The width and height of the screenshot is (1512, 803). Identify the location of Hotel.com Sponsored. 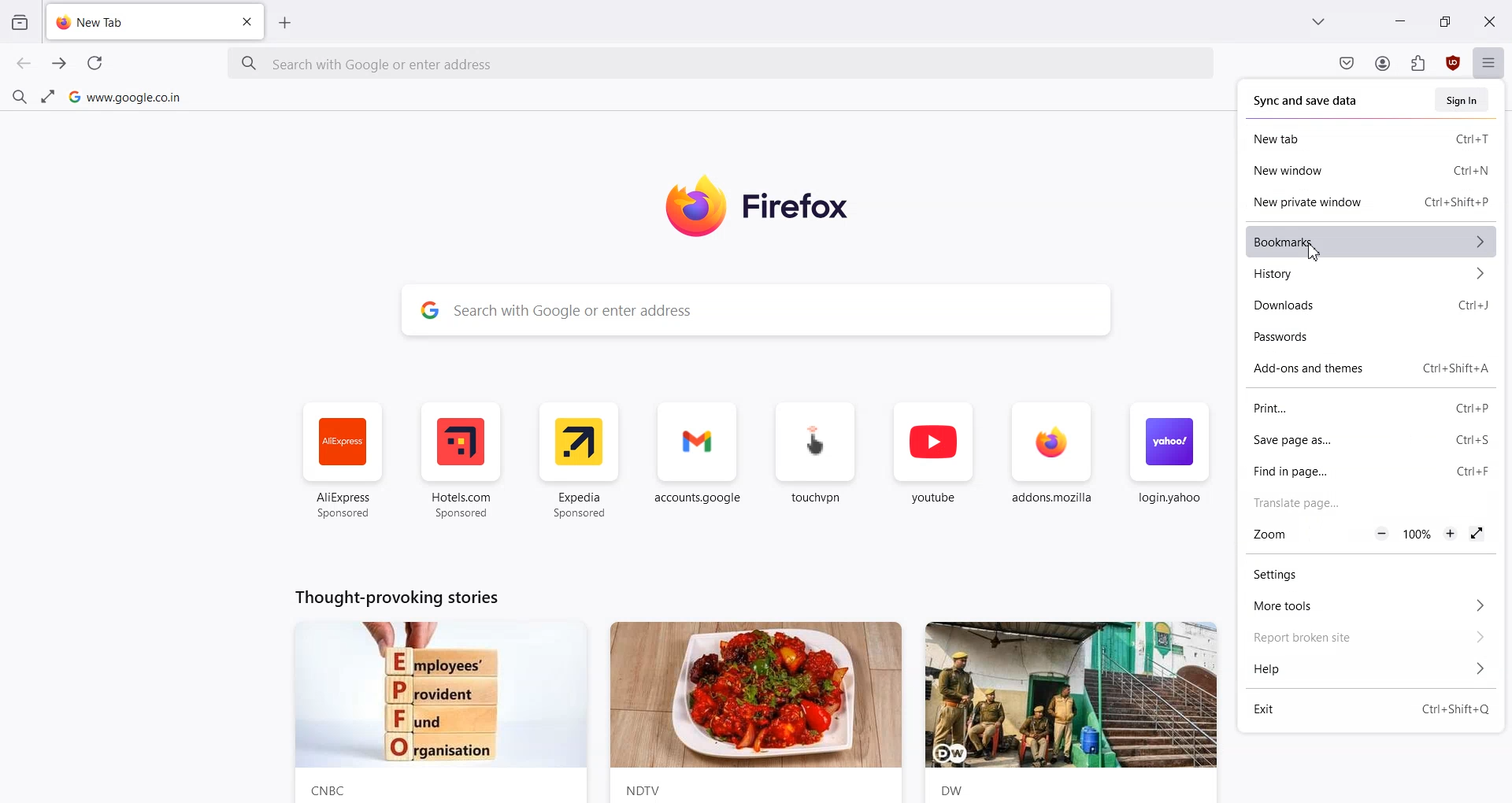
(460, 461).